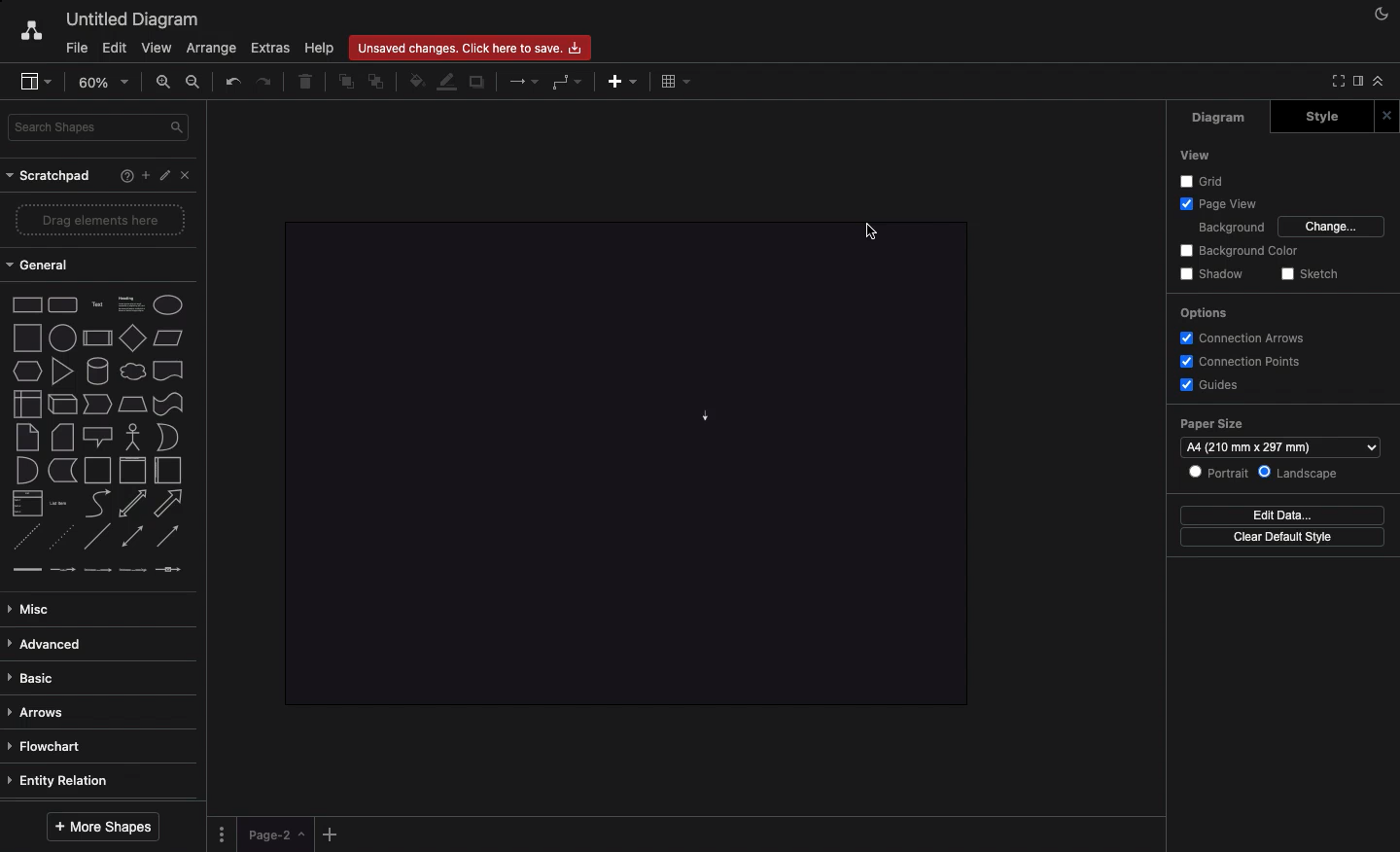  I want to click on To back, so click(378, 81).